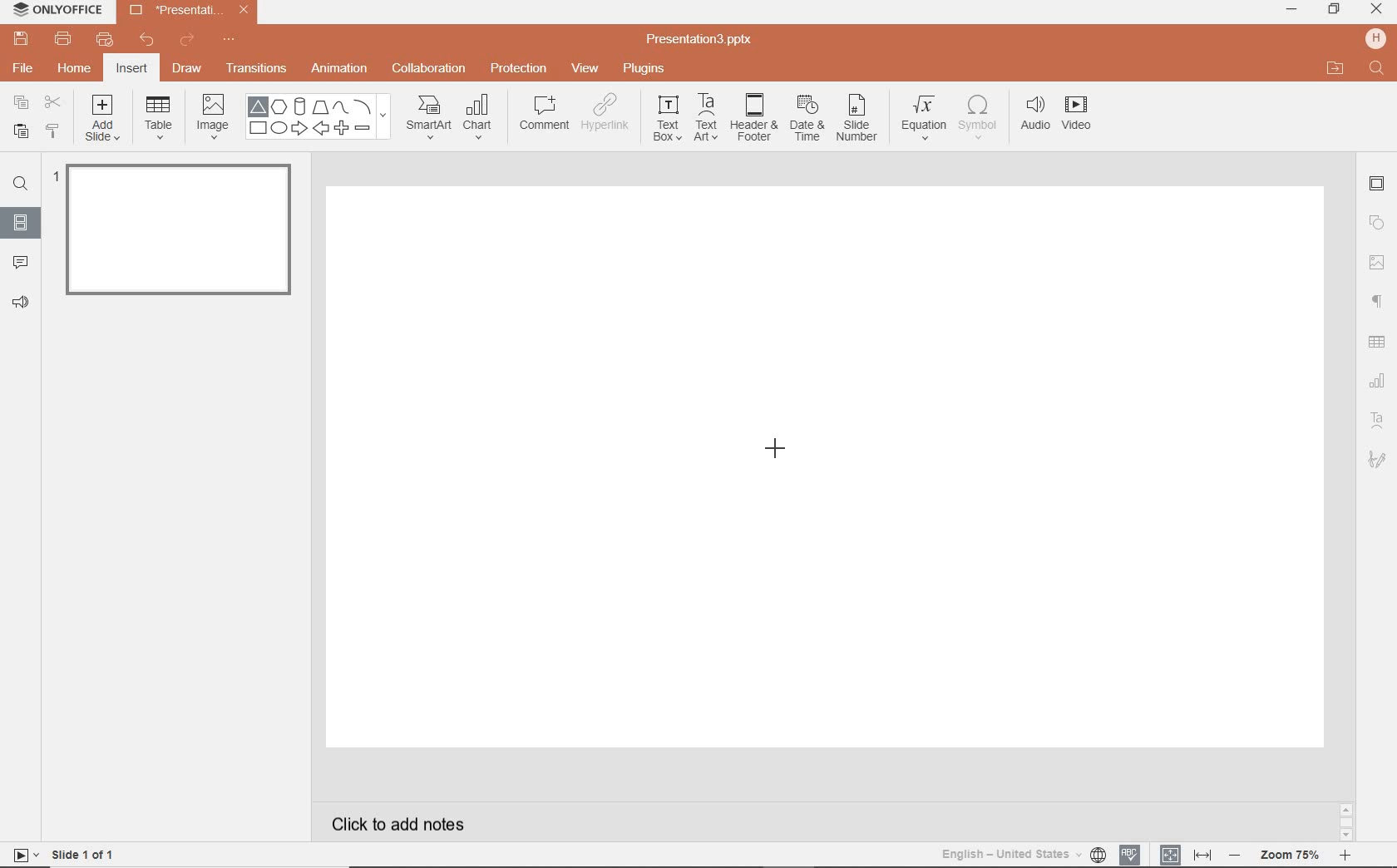 This screenshot has width=1397, height=868. Describe the element at coordinates (605, 117) in the screenshot. I see `HYPERLINK` at that location.